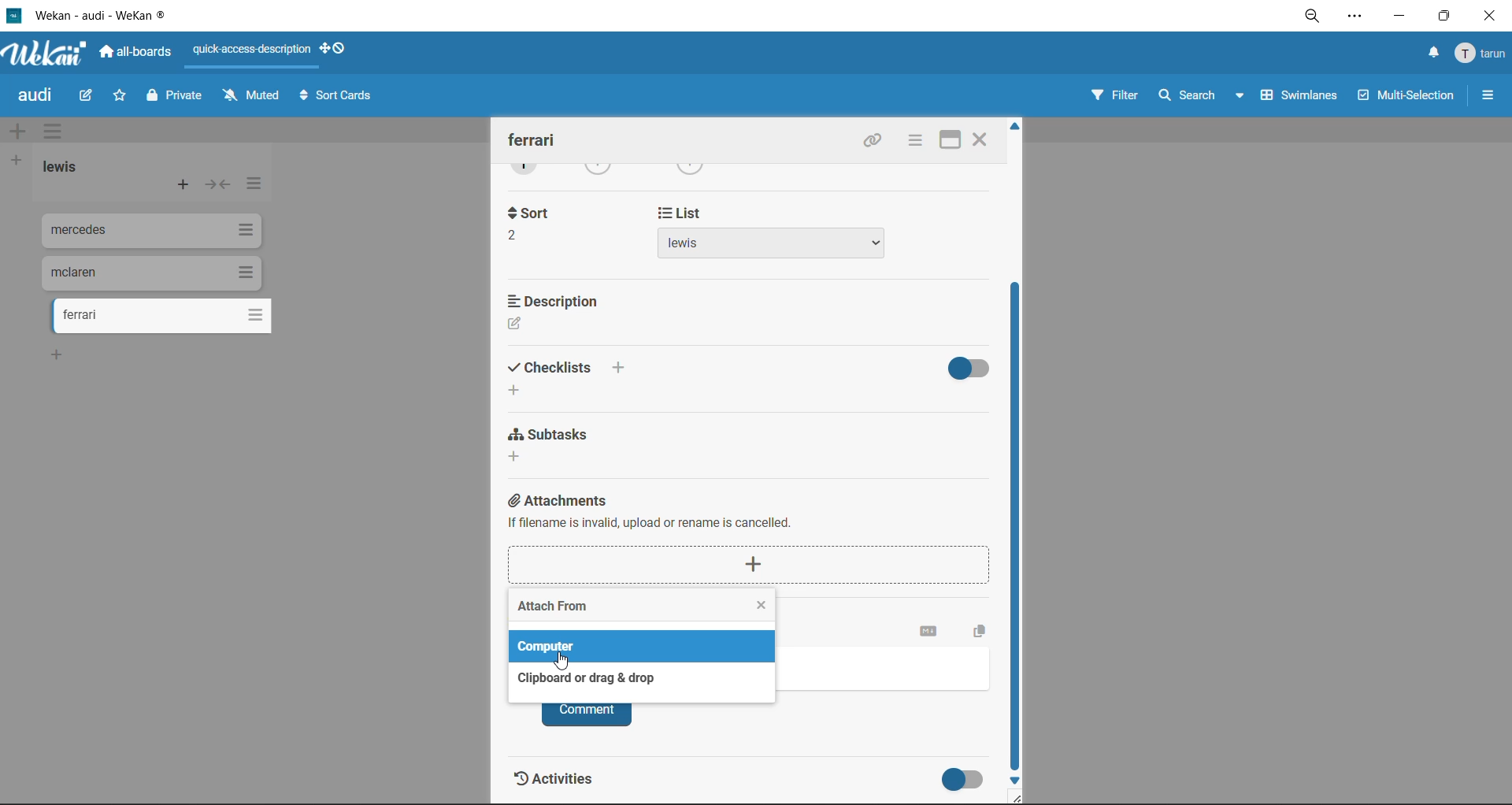  What do you see at coordinates (121, 13) in the screenshot?
I see `app title` at bounding box center [121, 13].